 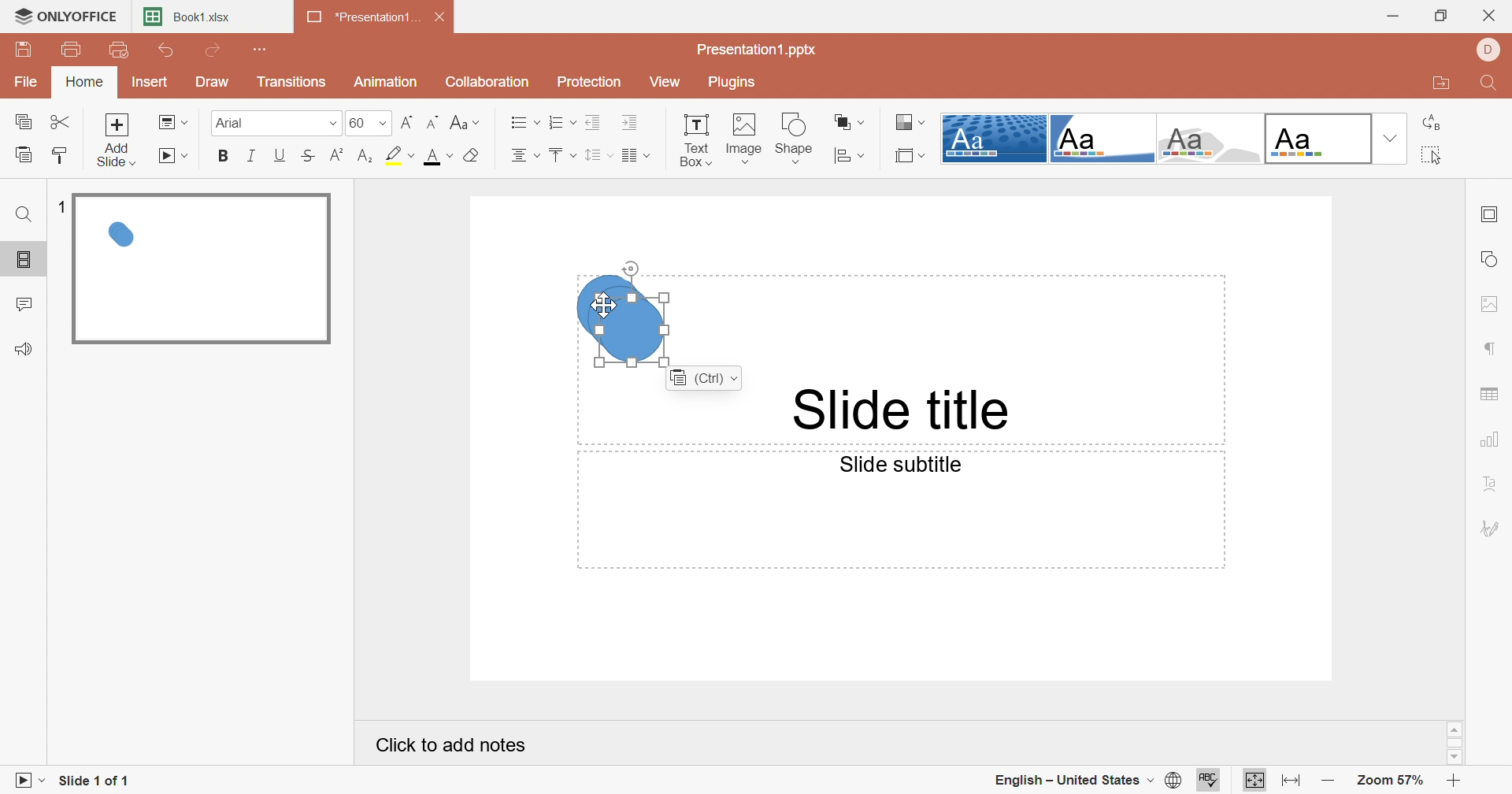 I want to click on Click to add notes, so click(x=454, y=744).